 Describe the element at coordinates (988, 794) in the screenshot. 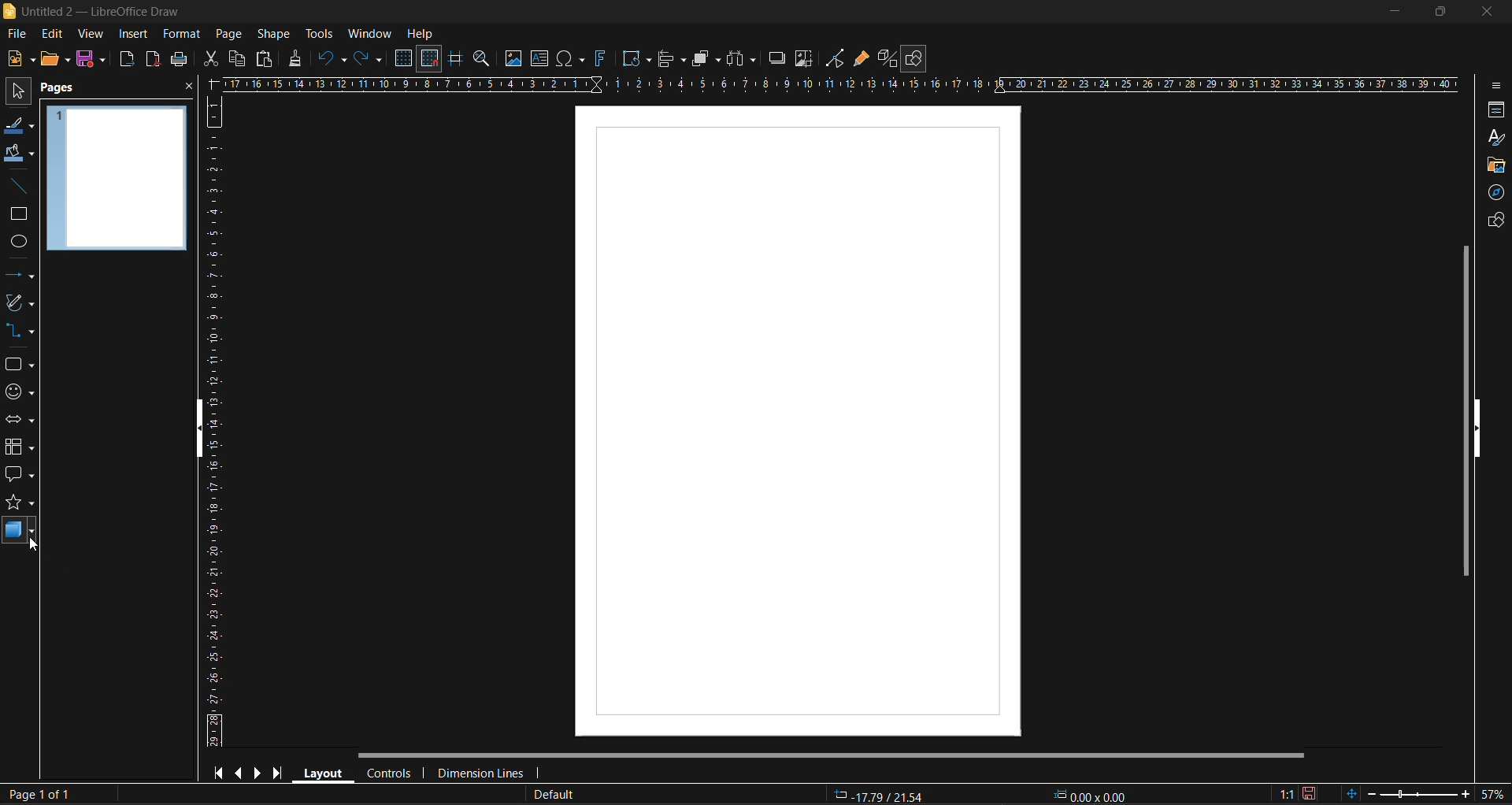

I see `coordinates` at that location.